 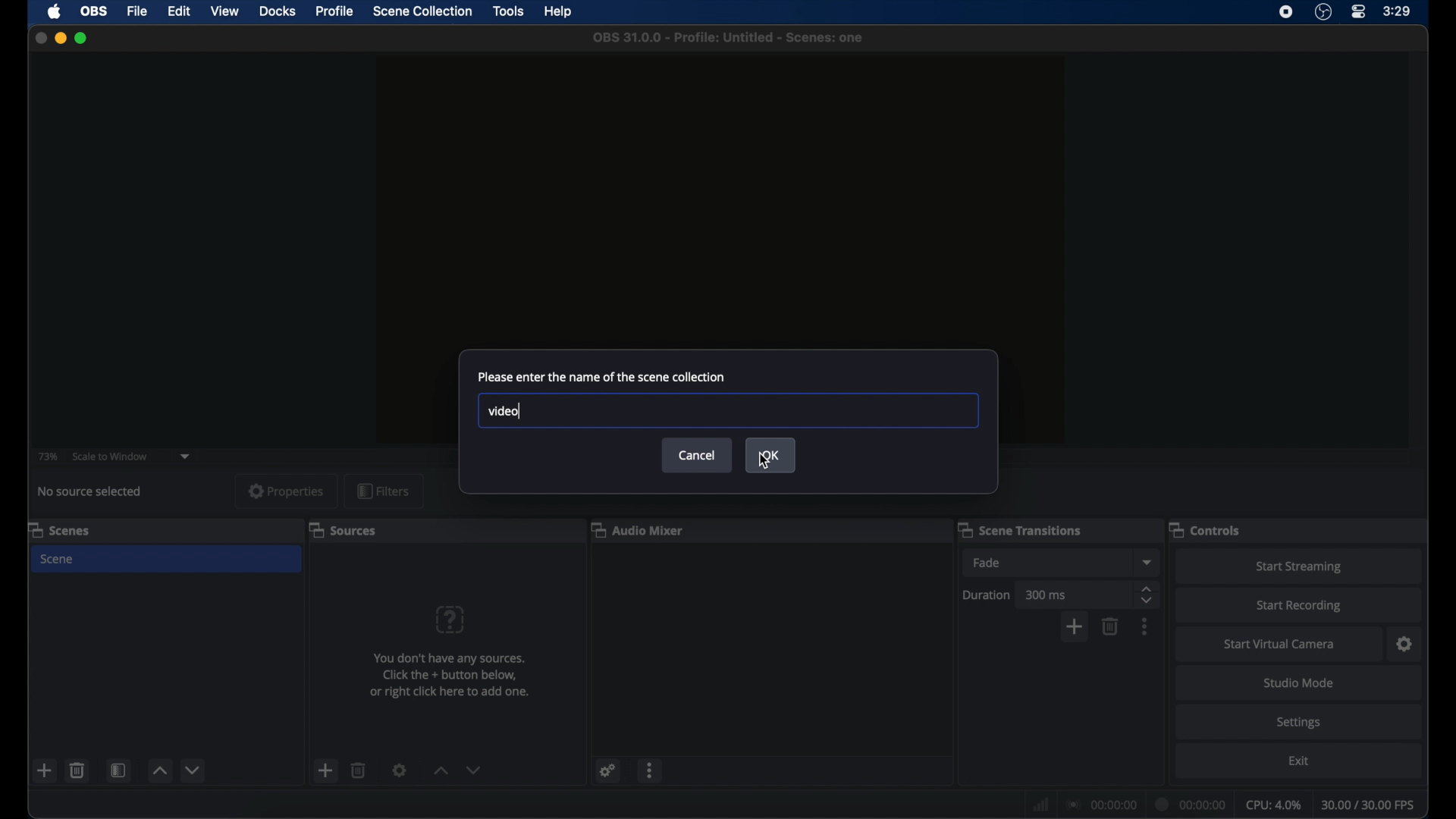 What do you see at coordinates (475, 770) in the screenshot?
I see `decrement` at bounding box center [475, 770].